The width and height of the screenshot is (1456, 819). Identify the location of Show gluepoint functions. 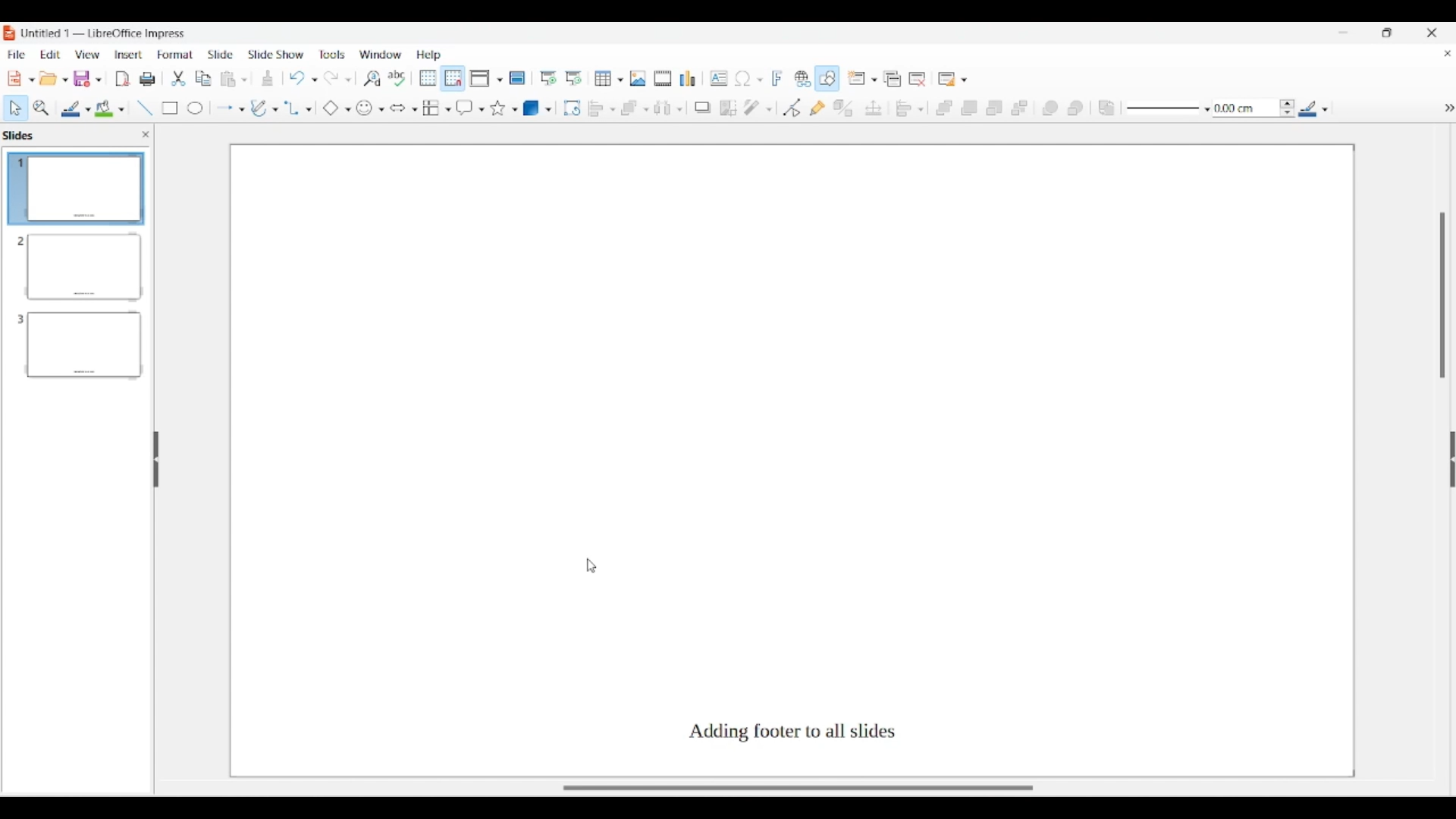
(817, 108).